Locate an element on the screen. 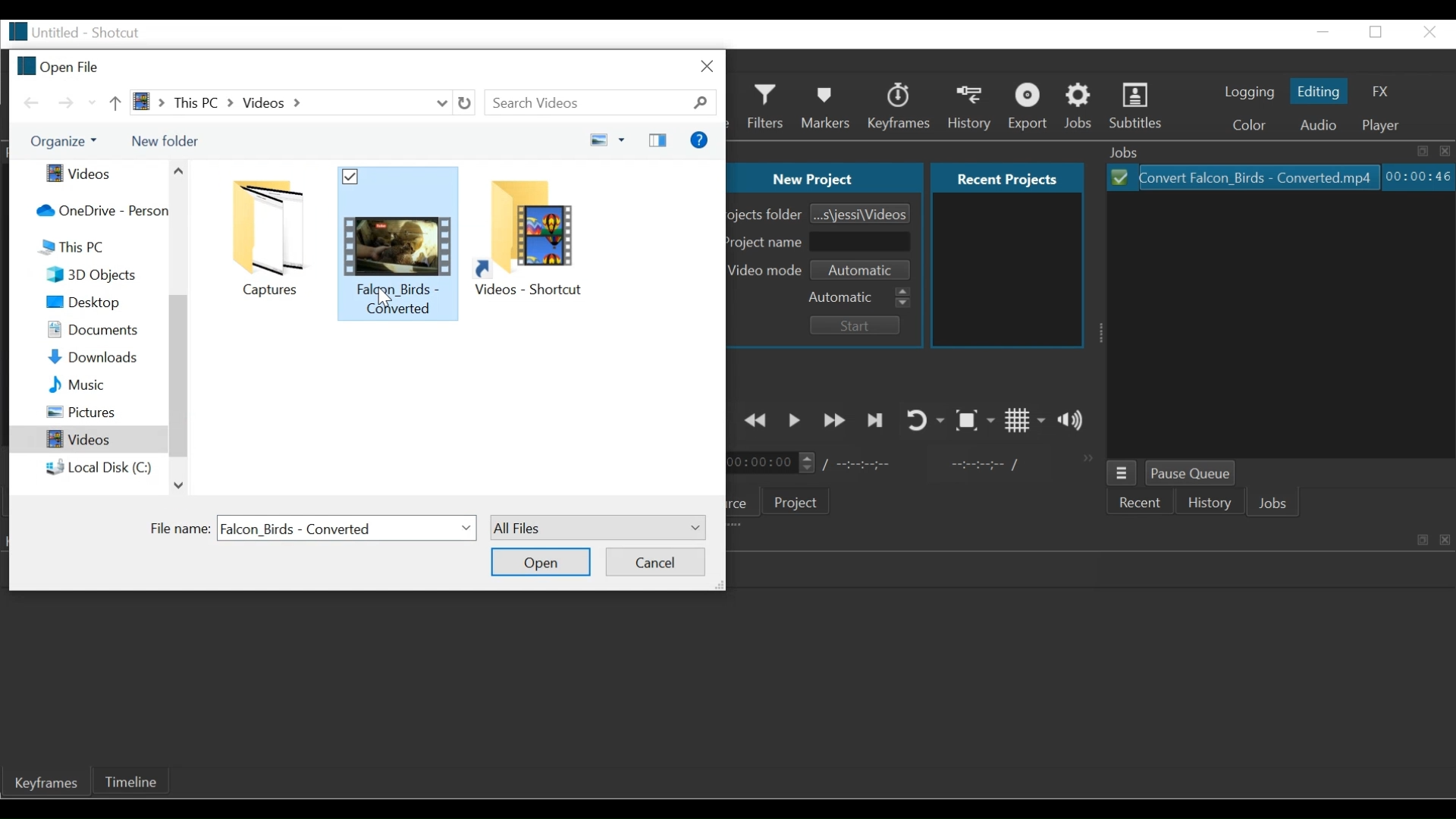 The image size is (1456, 819). Organize is located at coordinates (66, 142).